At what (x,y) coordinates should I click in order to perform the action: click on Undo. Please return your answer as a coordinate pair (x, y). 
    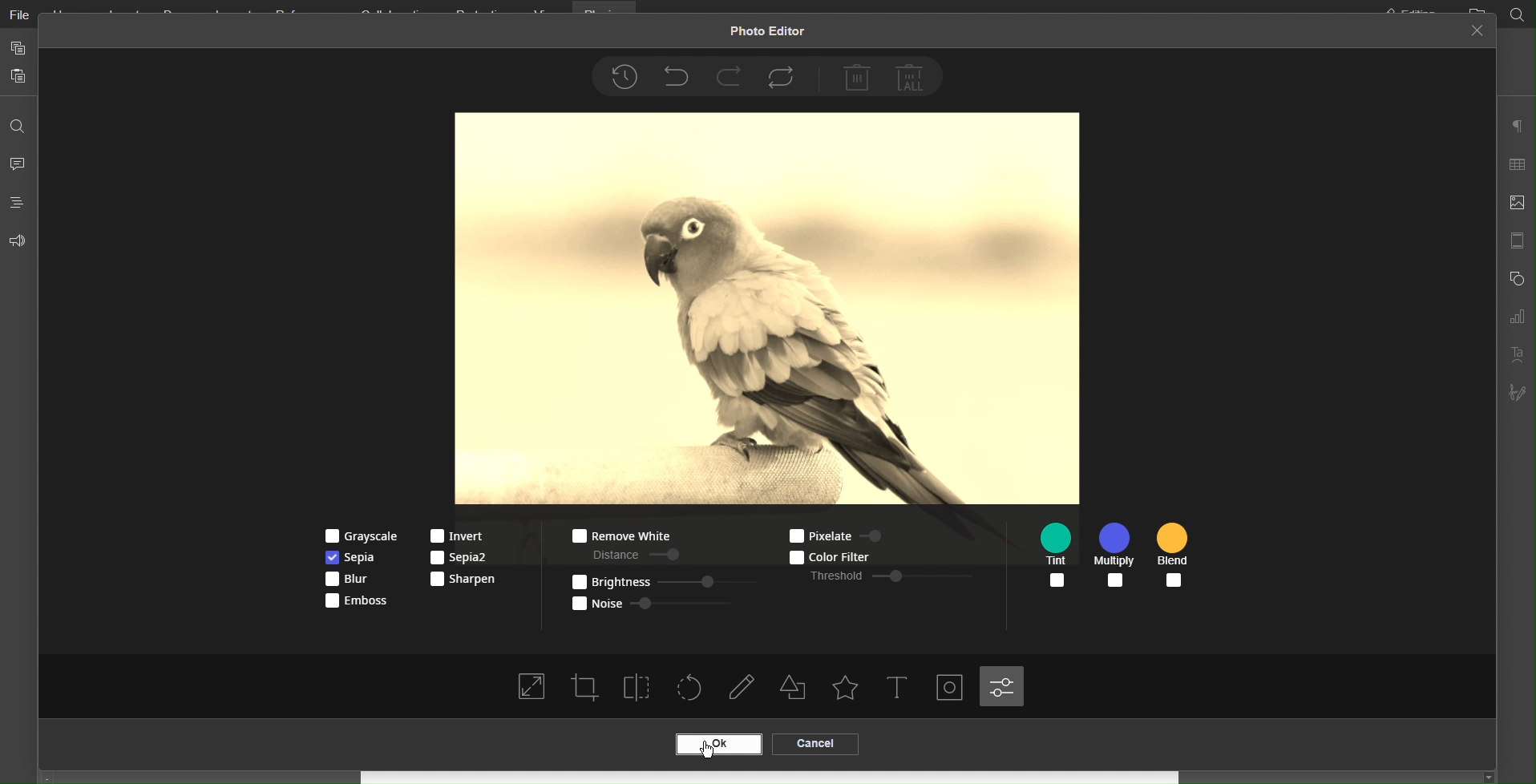
    Looking at the image, I should click on (675, 75).